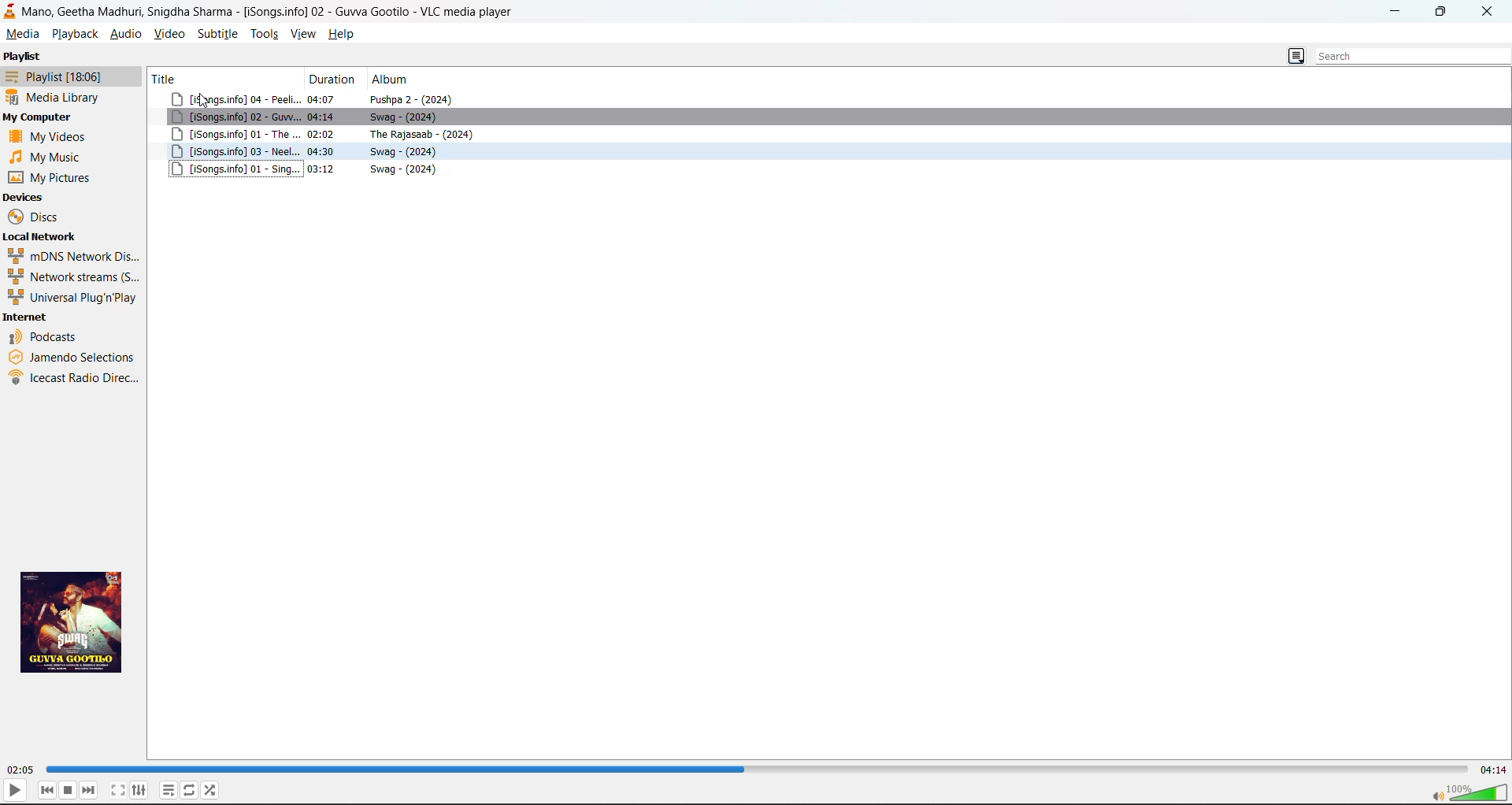  I want to click on duration, so click(334, 80).